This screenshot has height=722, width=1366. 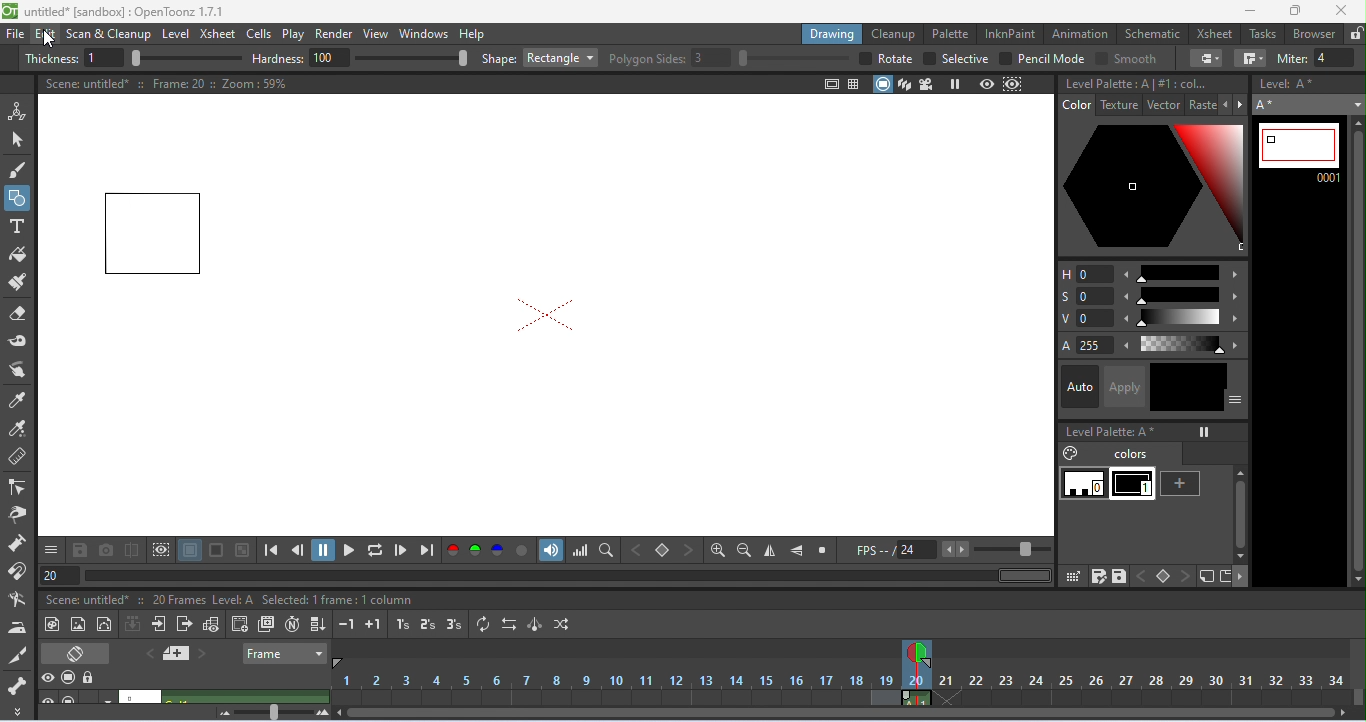 What do you see at coordinates (1357, 351) in the screenshot?
I see `vertical scroll bar` at bounding box center [1357, 351].